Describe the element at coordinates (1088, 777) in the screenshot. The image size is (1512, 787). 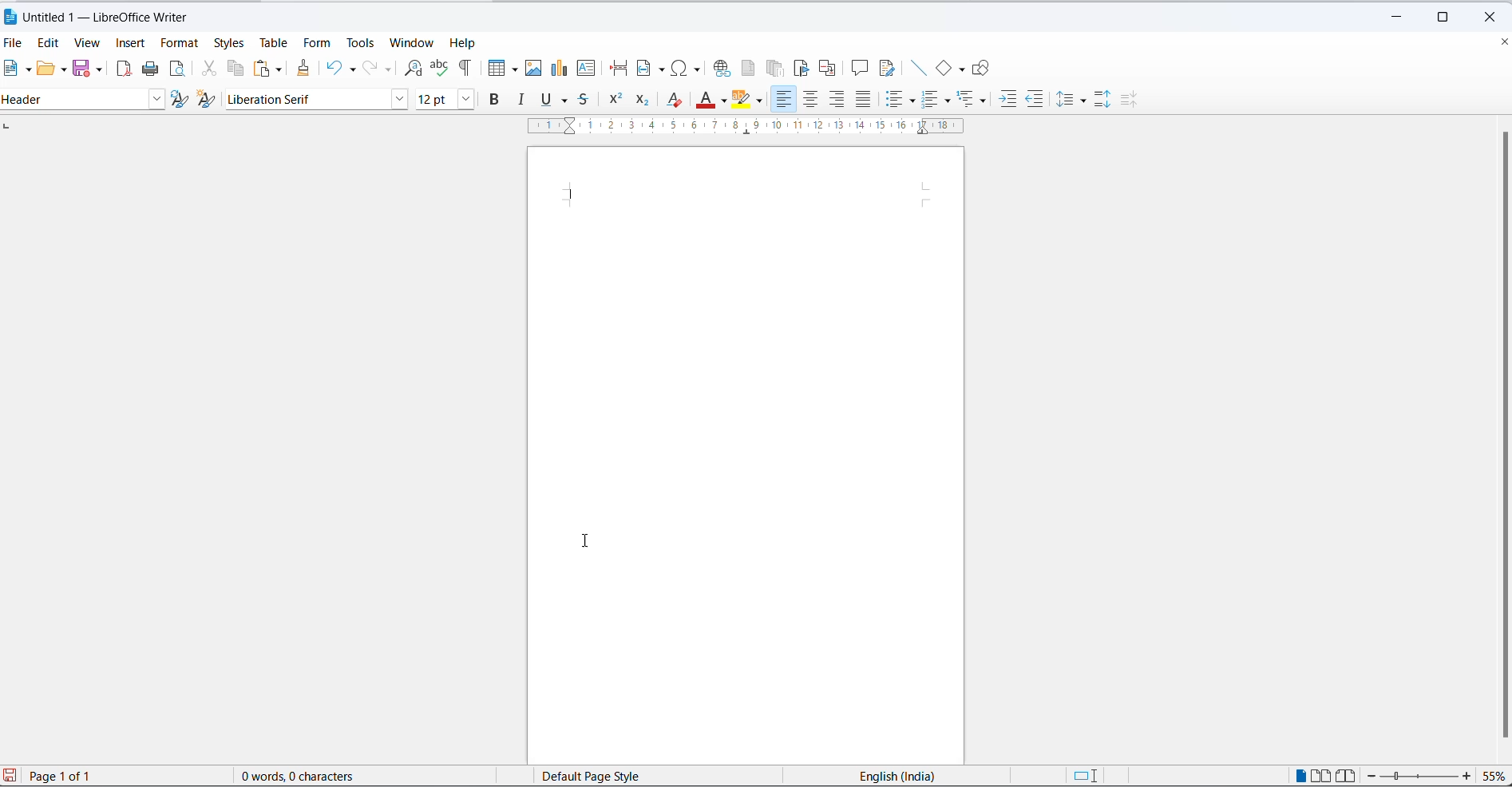
I see `standard selection` at that location.